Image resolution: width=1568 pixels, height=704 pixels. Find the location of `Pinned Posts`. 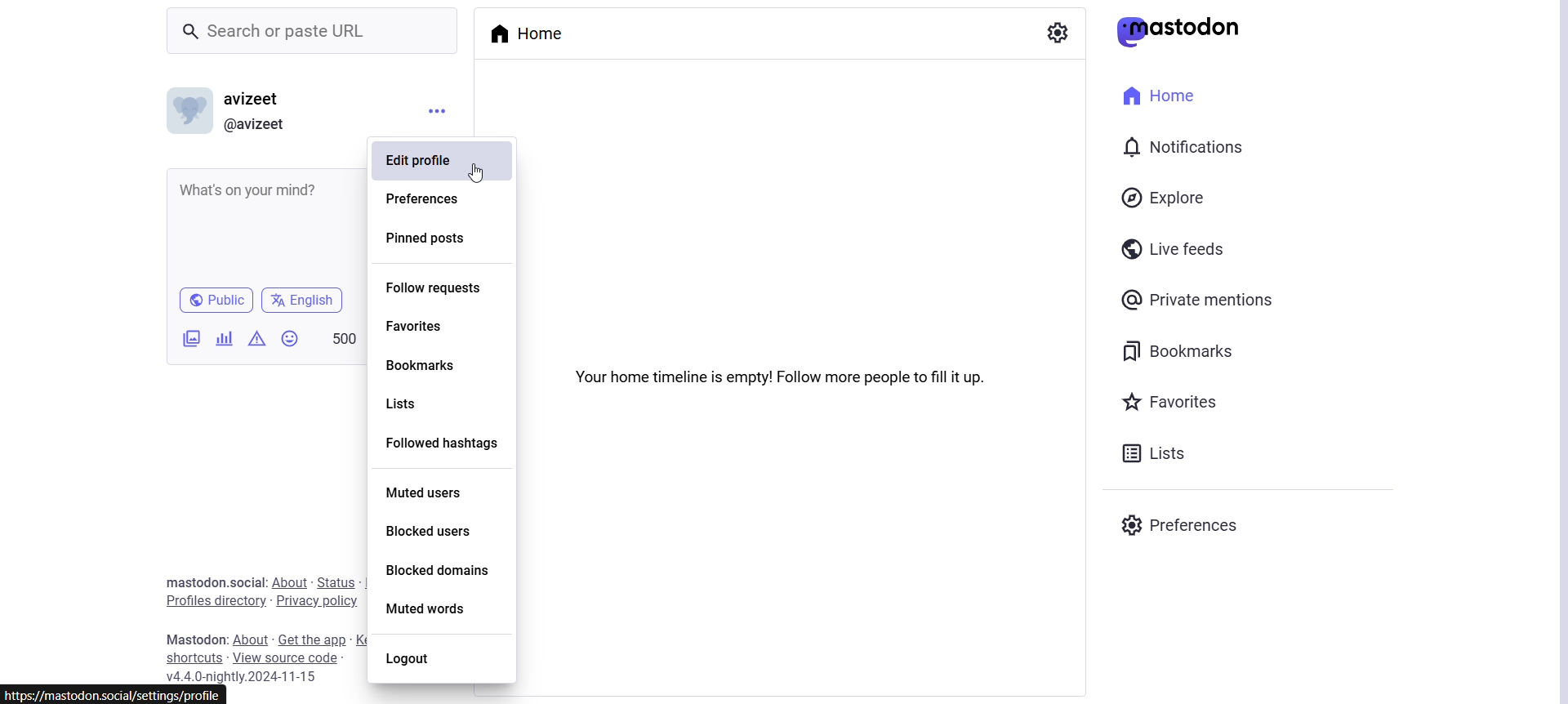

Pinned Posts is located at coordinates (437, 235).